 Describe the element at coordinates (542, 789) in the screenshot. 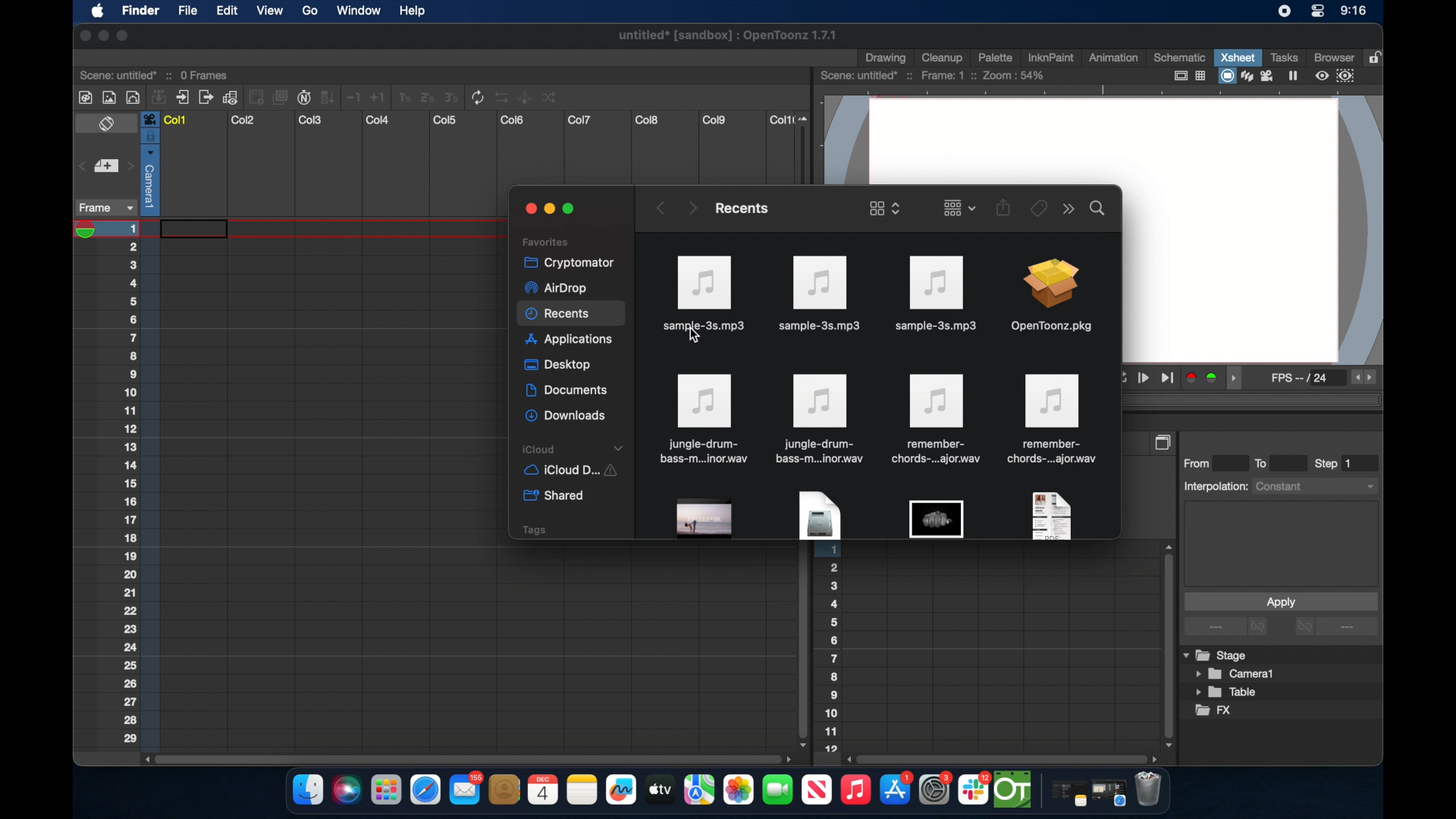

I see `calendar` at that location.